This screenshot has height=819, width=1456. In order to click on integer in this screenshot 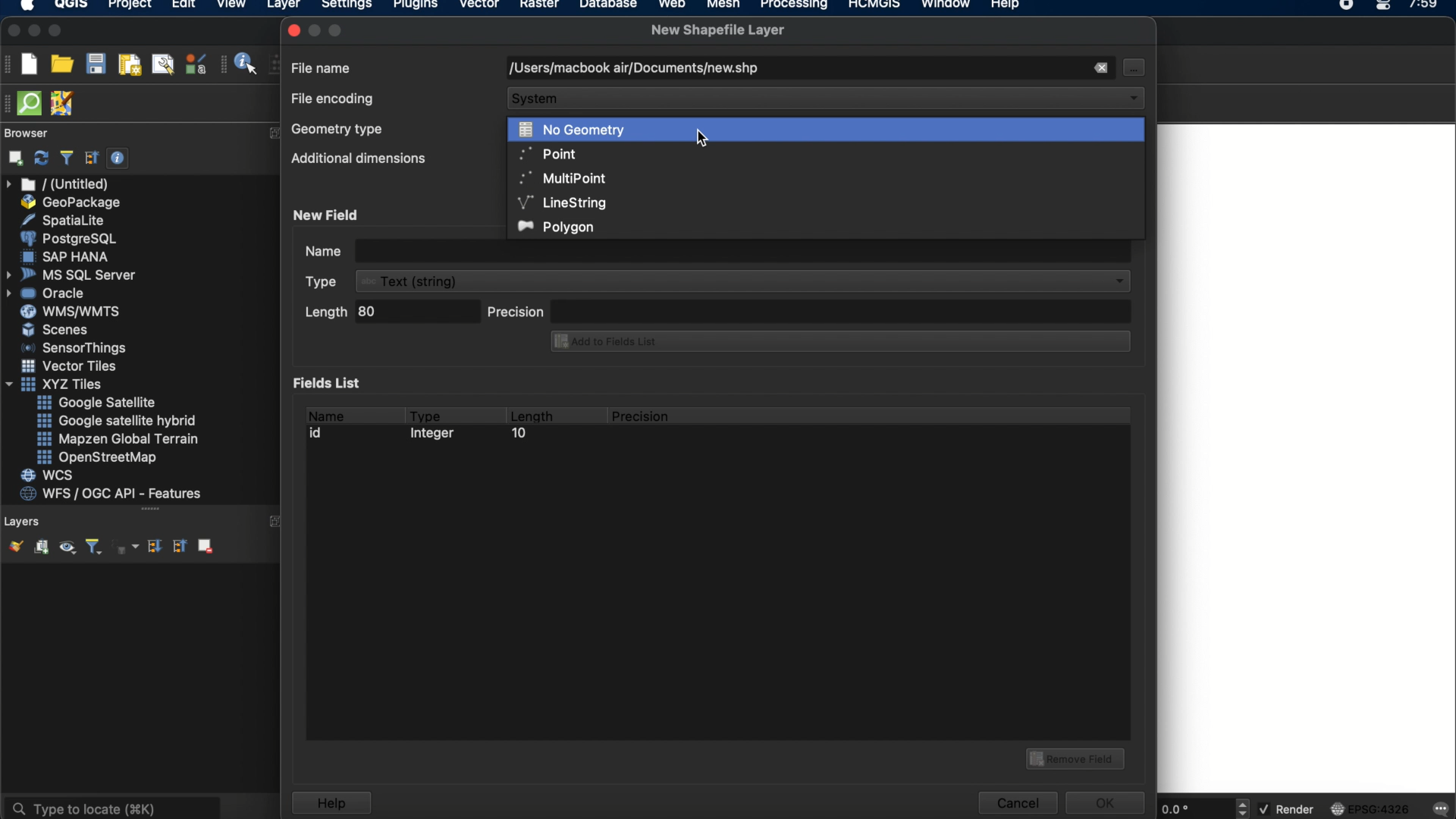, I will do `click(436, 435)`.